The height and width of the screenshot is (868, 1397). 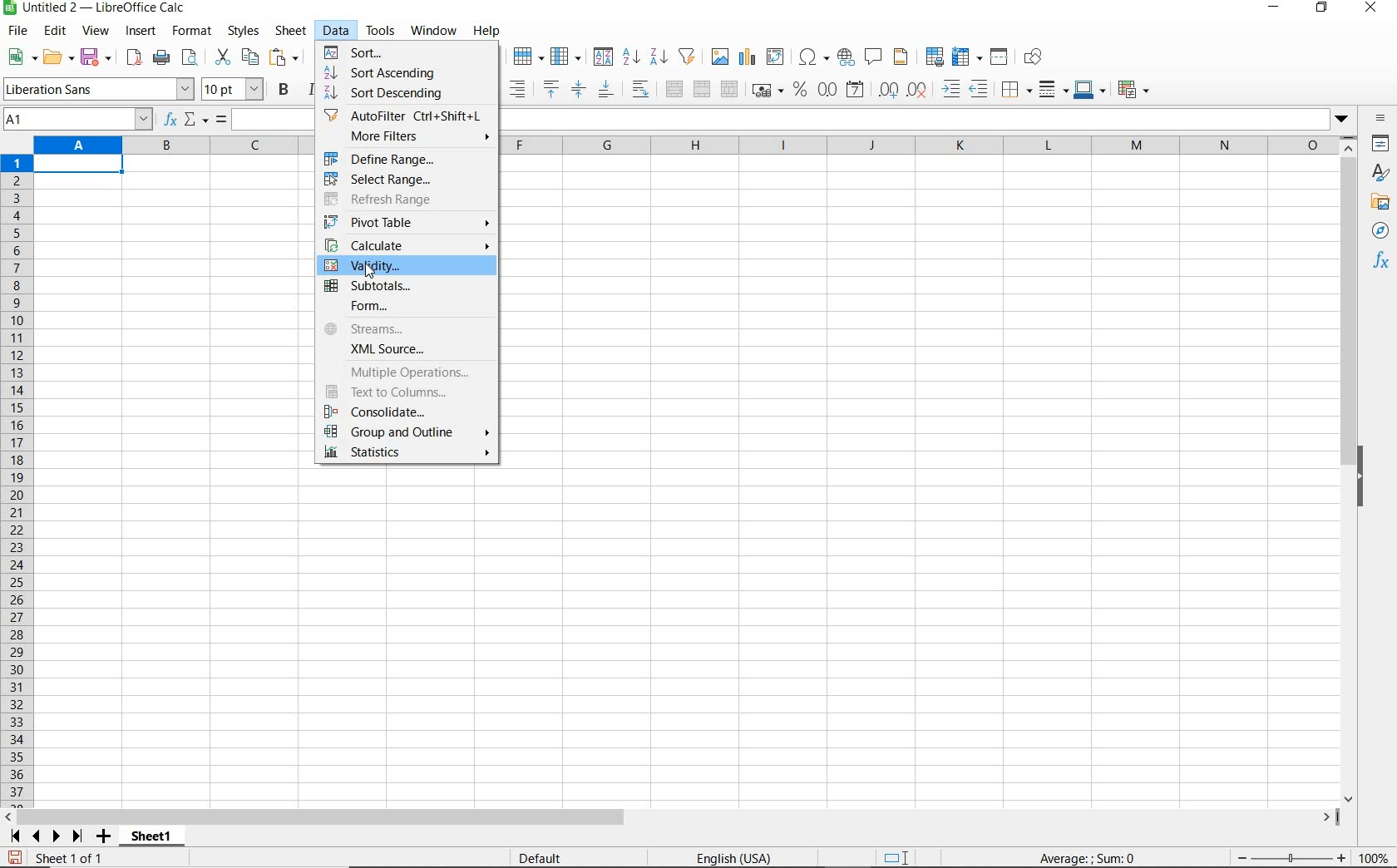 What do you see at coordinates (406, 456) in the screenshot?
I see `statistics` at bounding box center [406, 456].